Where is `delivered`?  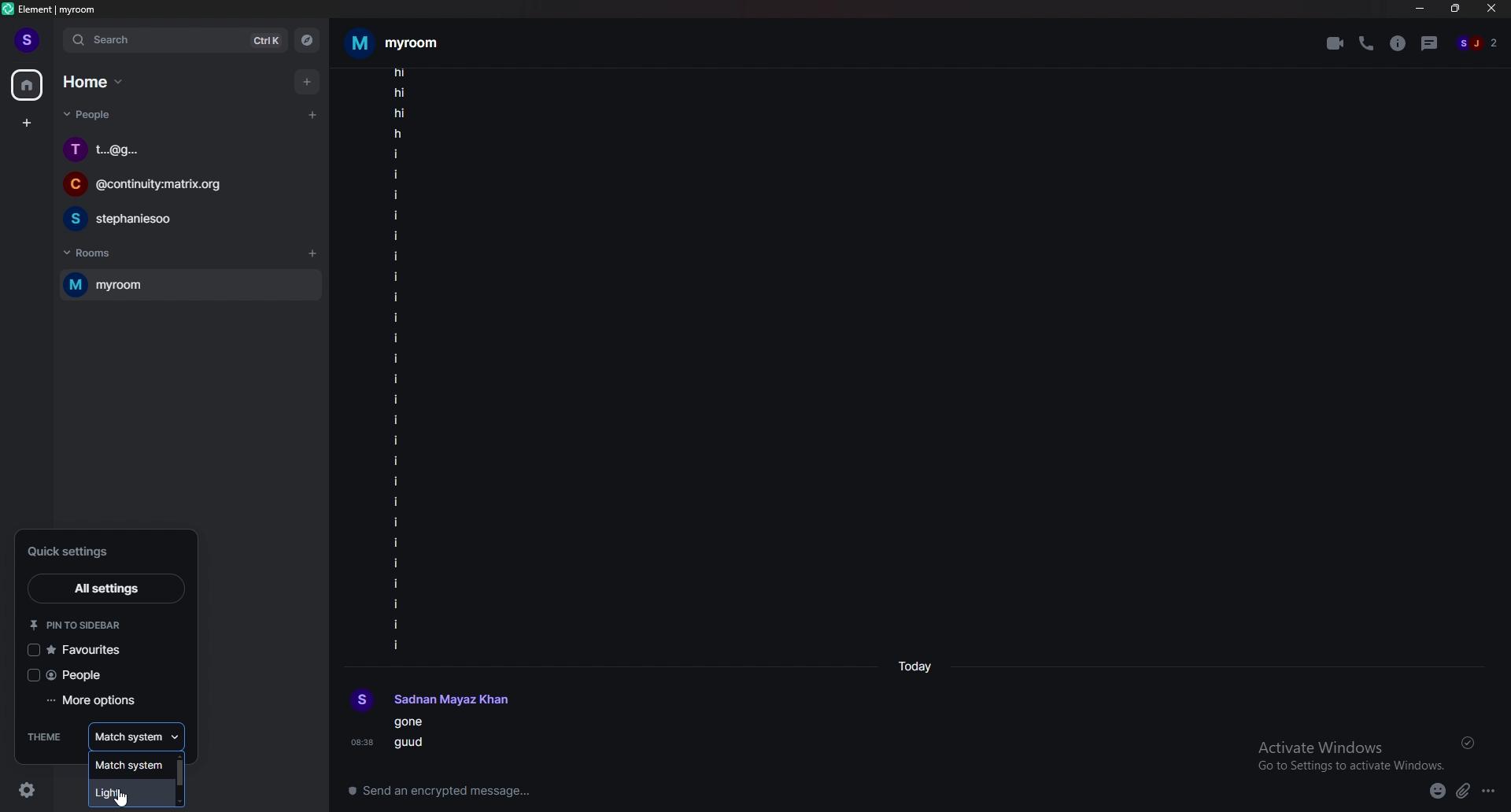
delivered is located at coordinates (1469, 744).